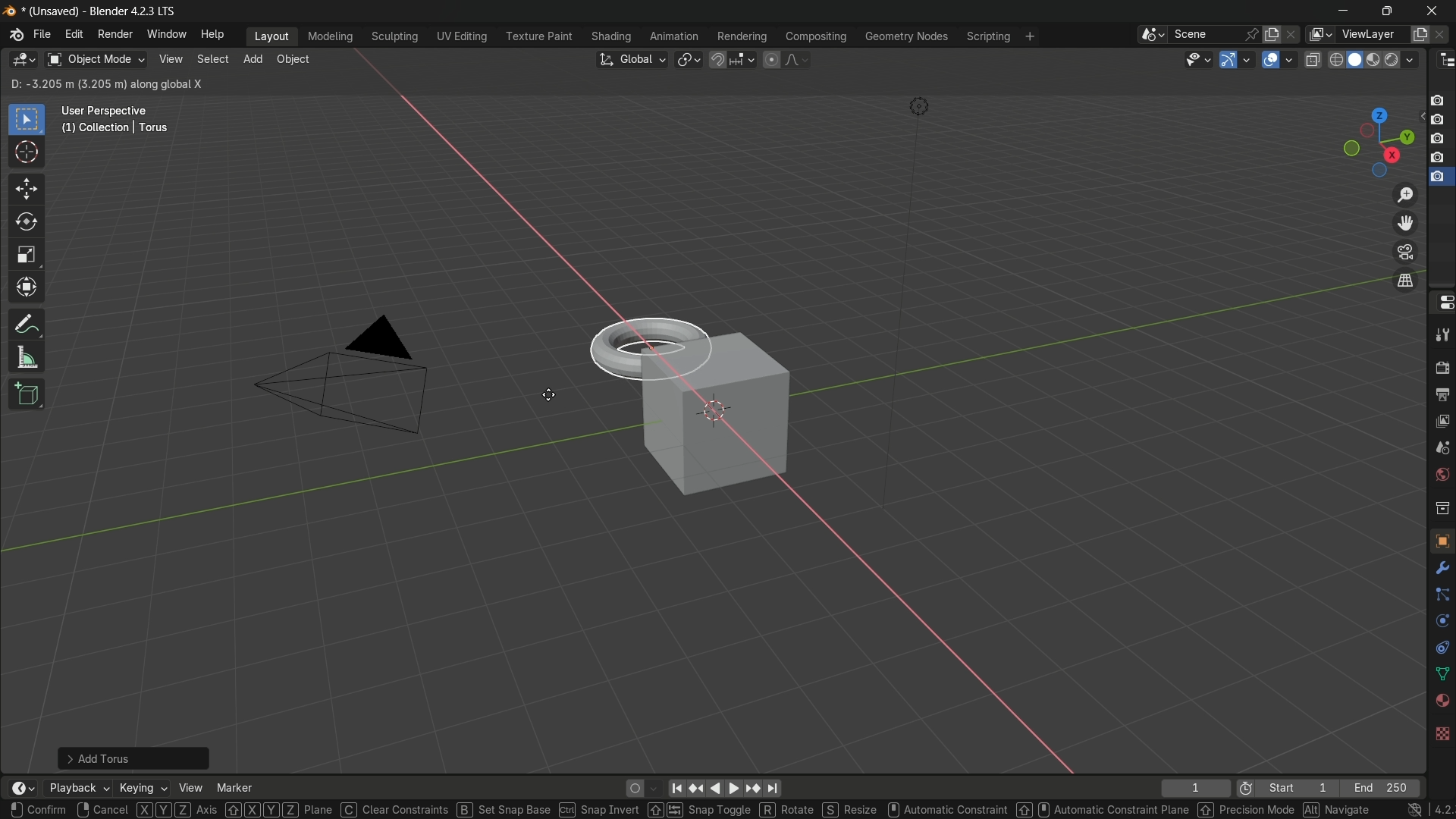 The width and height of the screenshot is (1456, 819). I want to click on play animation, so click(725, 788).